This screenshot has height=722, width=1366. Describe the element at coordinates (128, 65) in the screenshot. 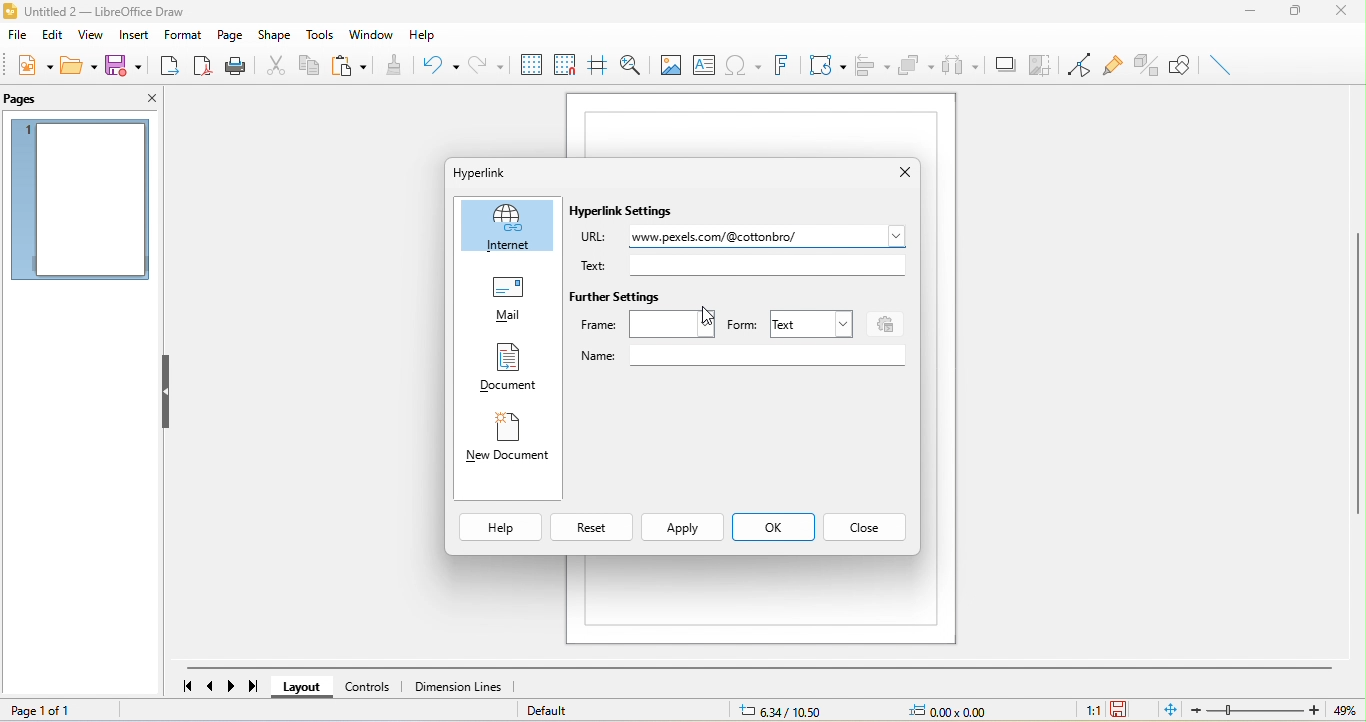

I see `save` at that location.